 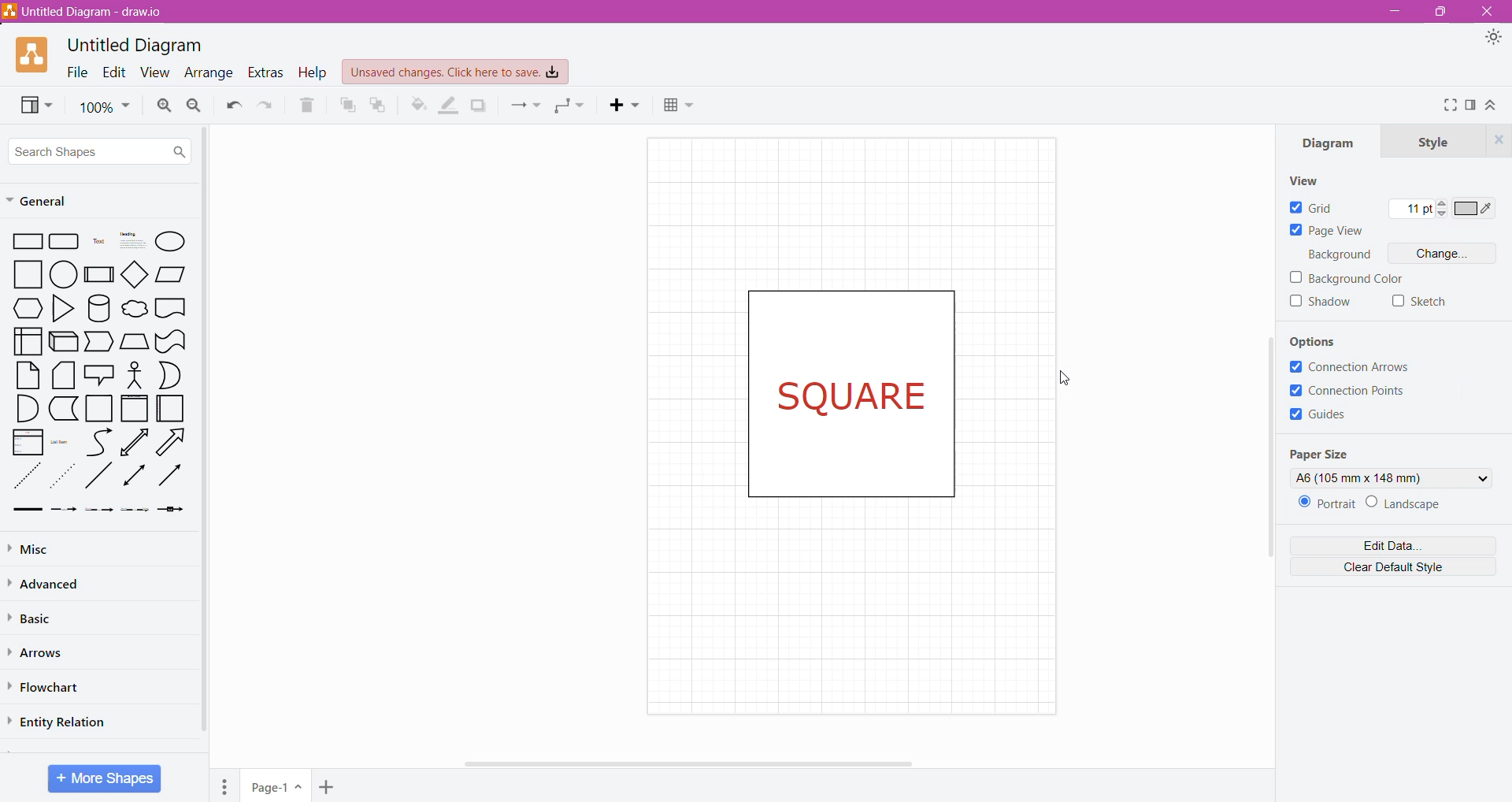 I want to click on Zoom Out, so click(x=195, y=106).